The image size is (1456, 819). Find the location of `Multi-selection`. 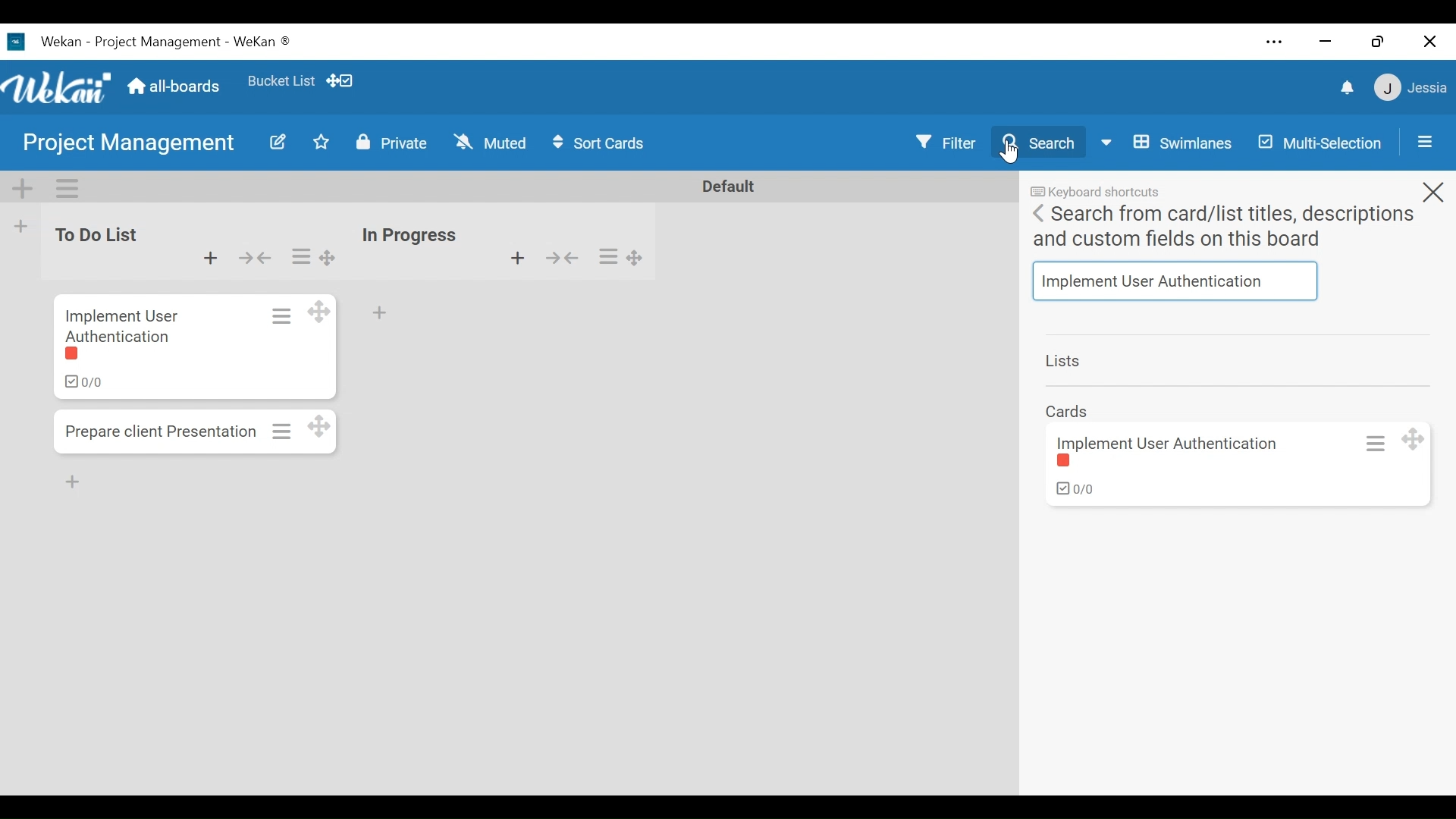

Multi-selection is located at coordinates (1317, 142).